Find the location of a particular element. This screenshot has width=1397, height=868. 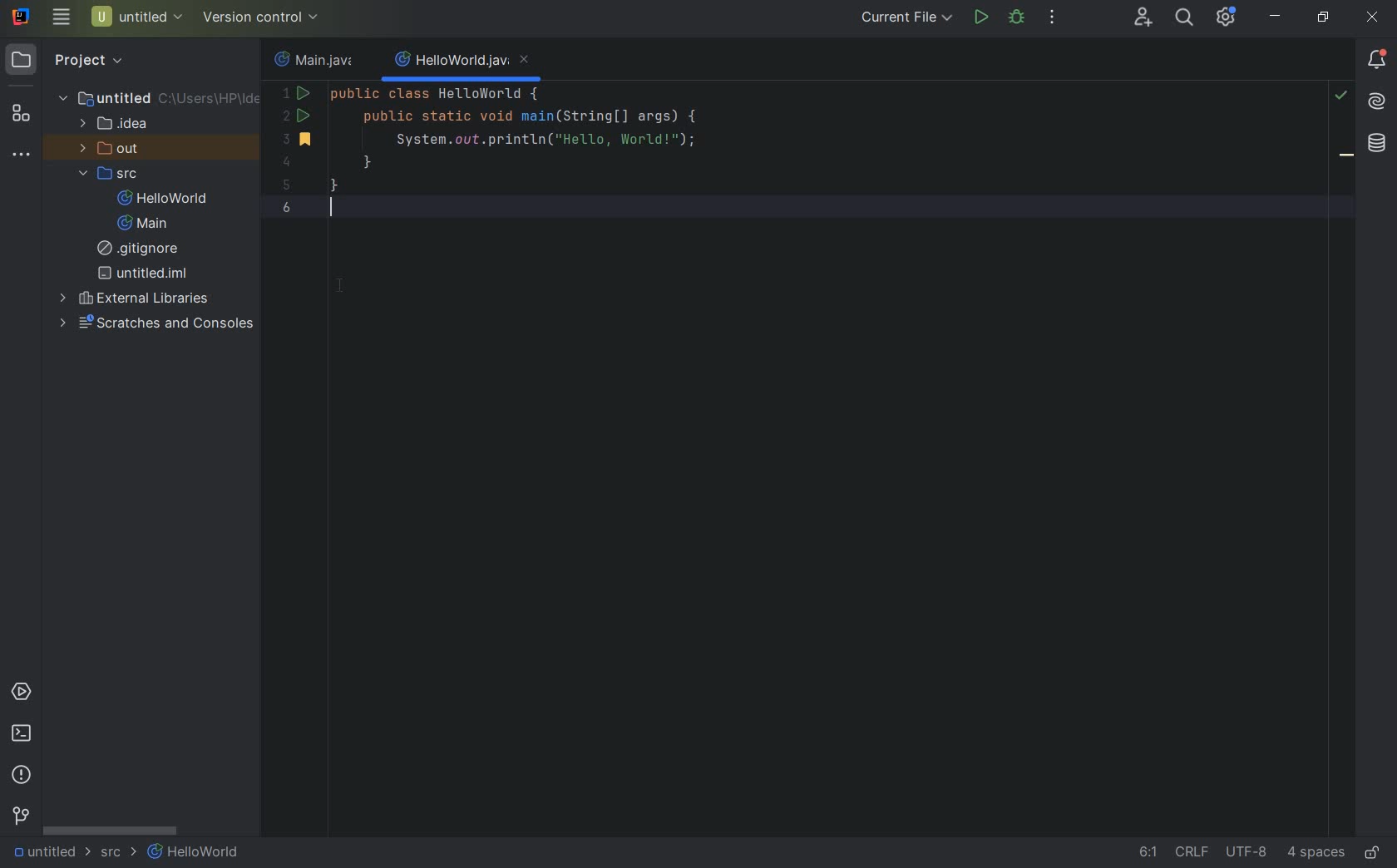

minimize is located at coordinates (1276, 17).